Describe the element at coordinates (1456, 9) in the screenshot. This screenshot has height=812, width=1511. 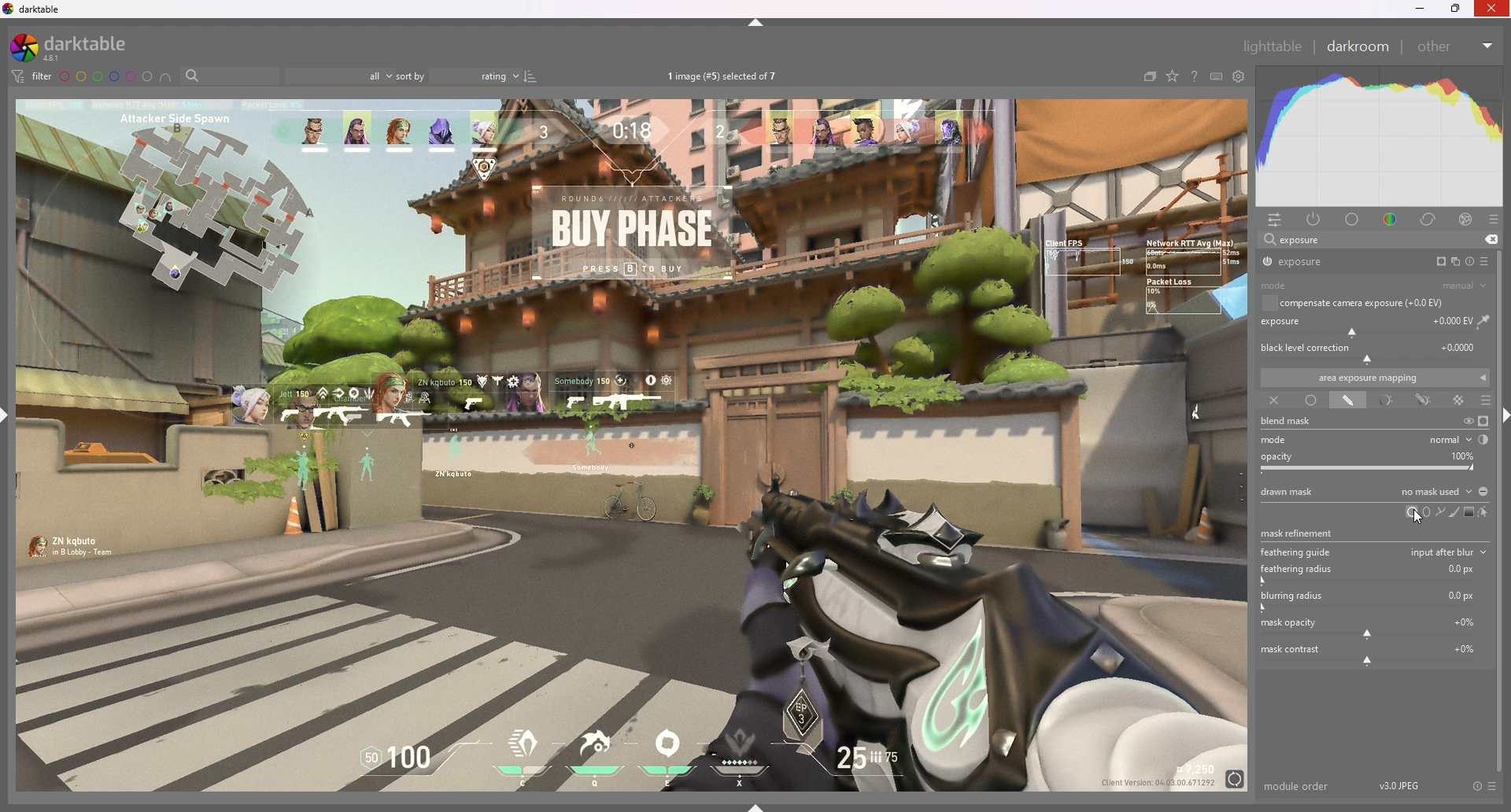
I see `resize` at that location.